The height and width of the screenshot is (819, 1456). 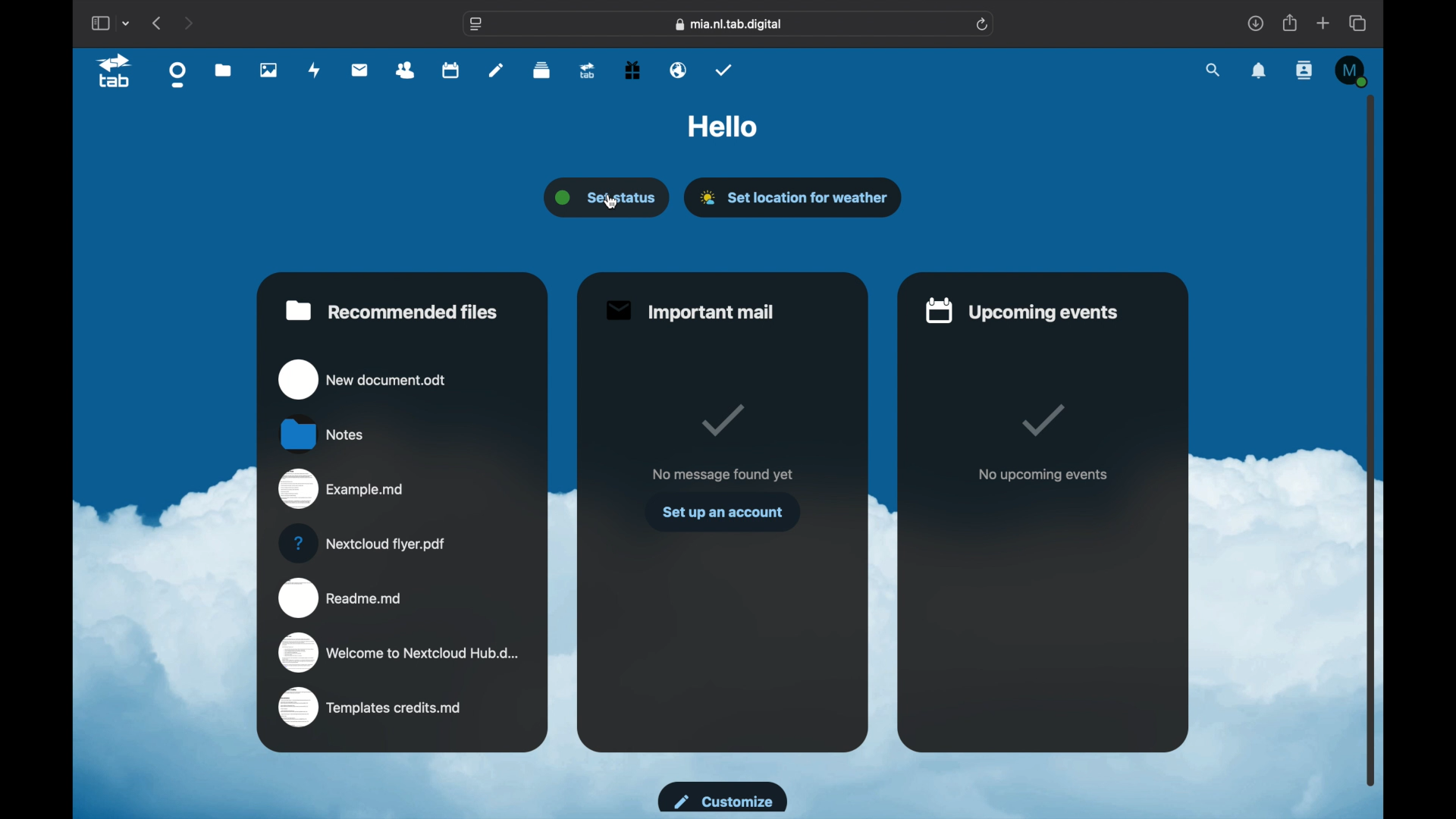 I want to click on show tab overview, so click(x=1357, y=23).